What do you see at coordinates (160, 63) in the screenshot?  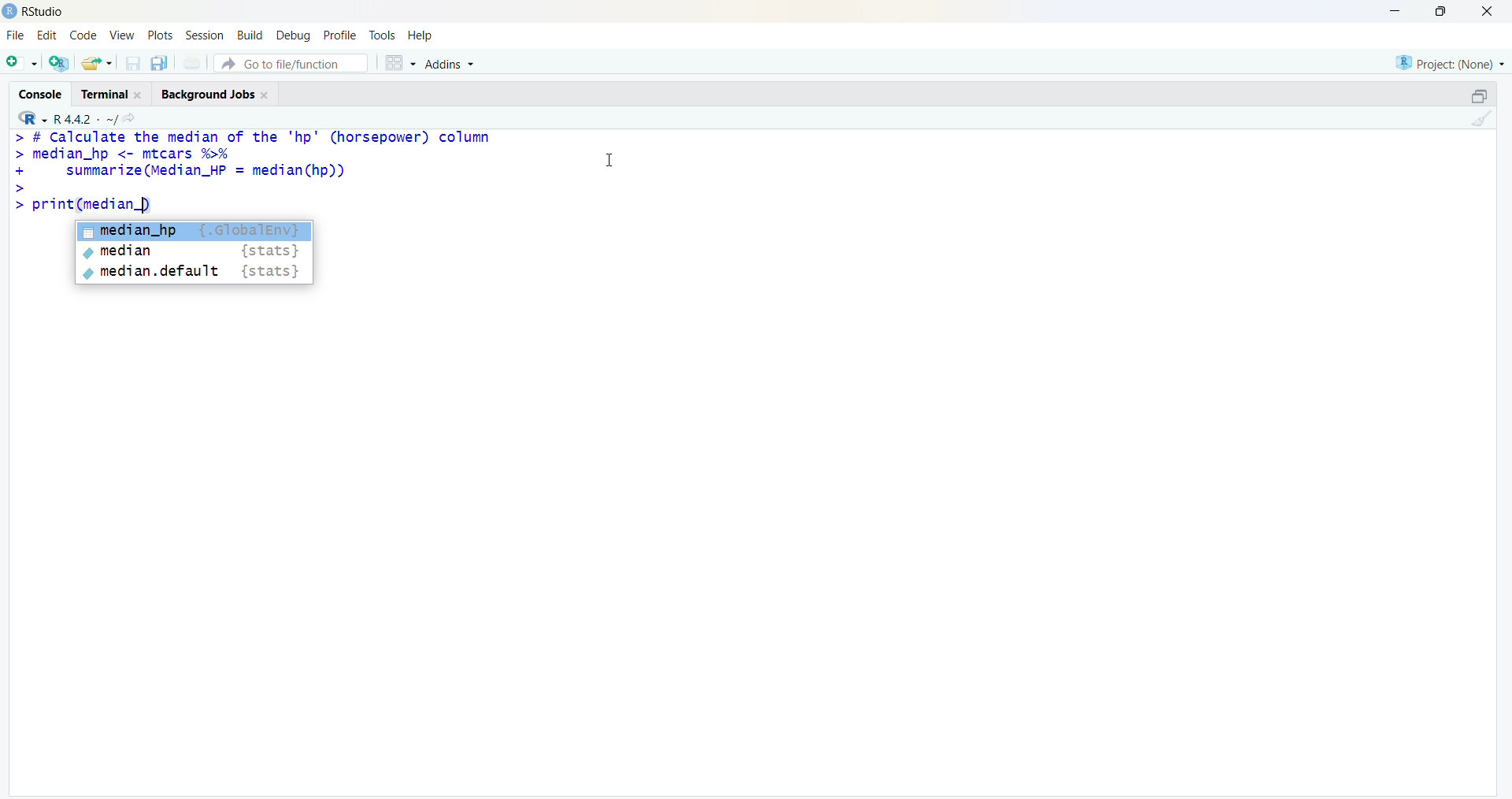 I see `copy` at bounding box center [160, 63].